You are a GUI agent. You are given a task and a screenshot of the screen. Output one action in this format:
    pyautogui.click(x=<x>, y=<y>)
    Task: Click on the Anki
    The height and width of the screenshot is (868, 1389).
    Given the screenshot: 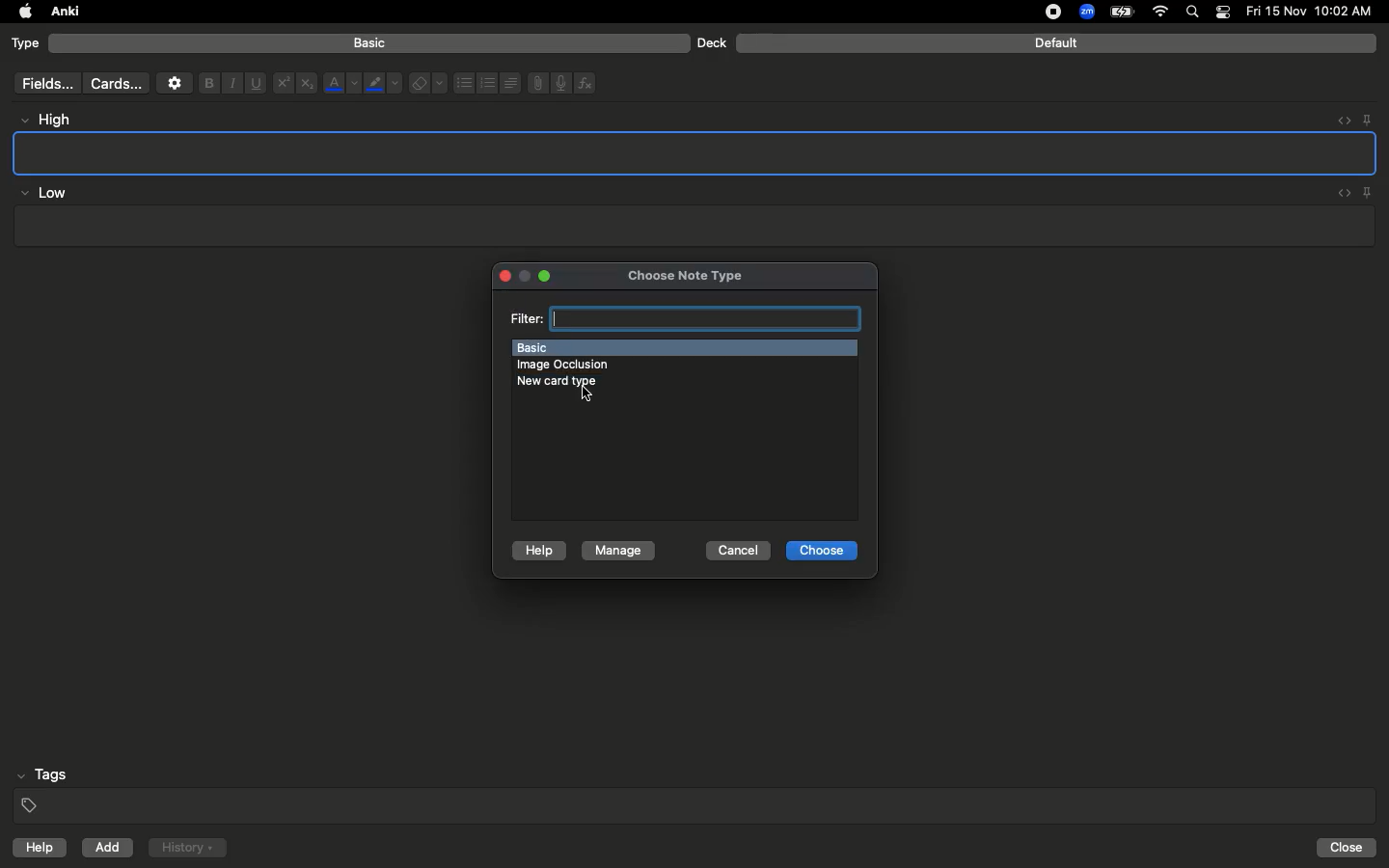 What is the action you would take?
    pyautogui.click(x=64, y=13)
    